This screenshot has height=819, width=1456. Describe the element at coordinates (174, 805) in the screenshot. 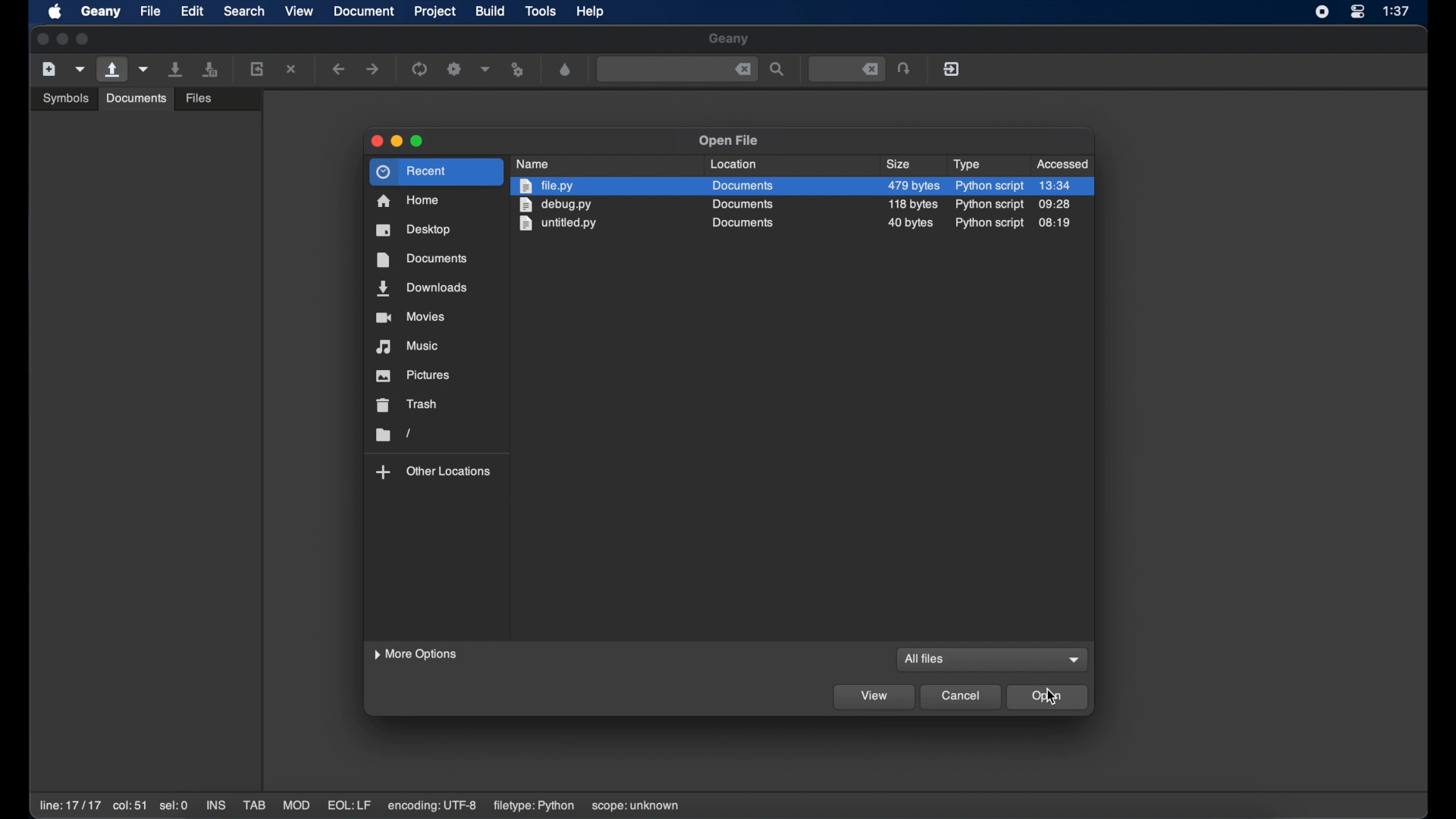

I see `sel:0` at that location.